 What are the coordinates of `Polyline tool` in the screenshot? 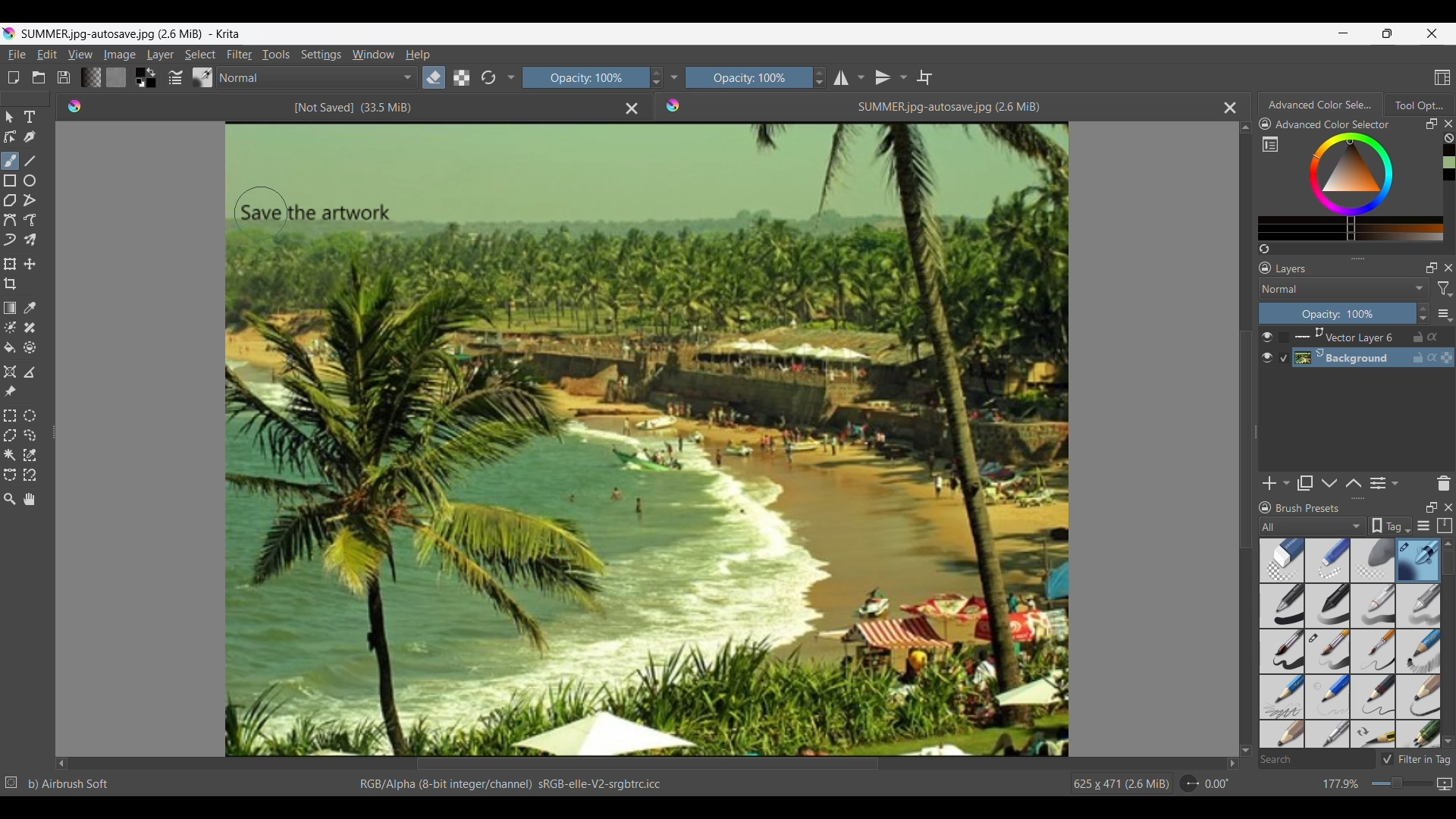 It's located at (30, 200).